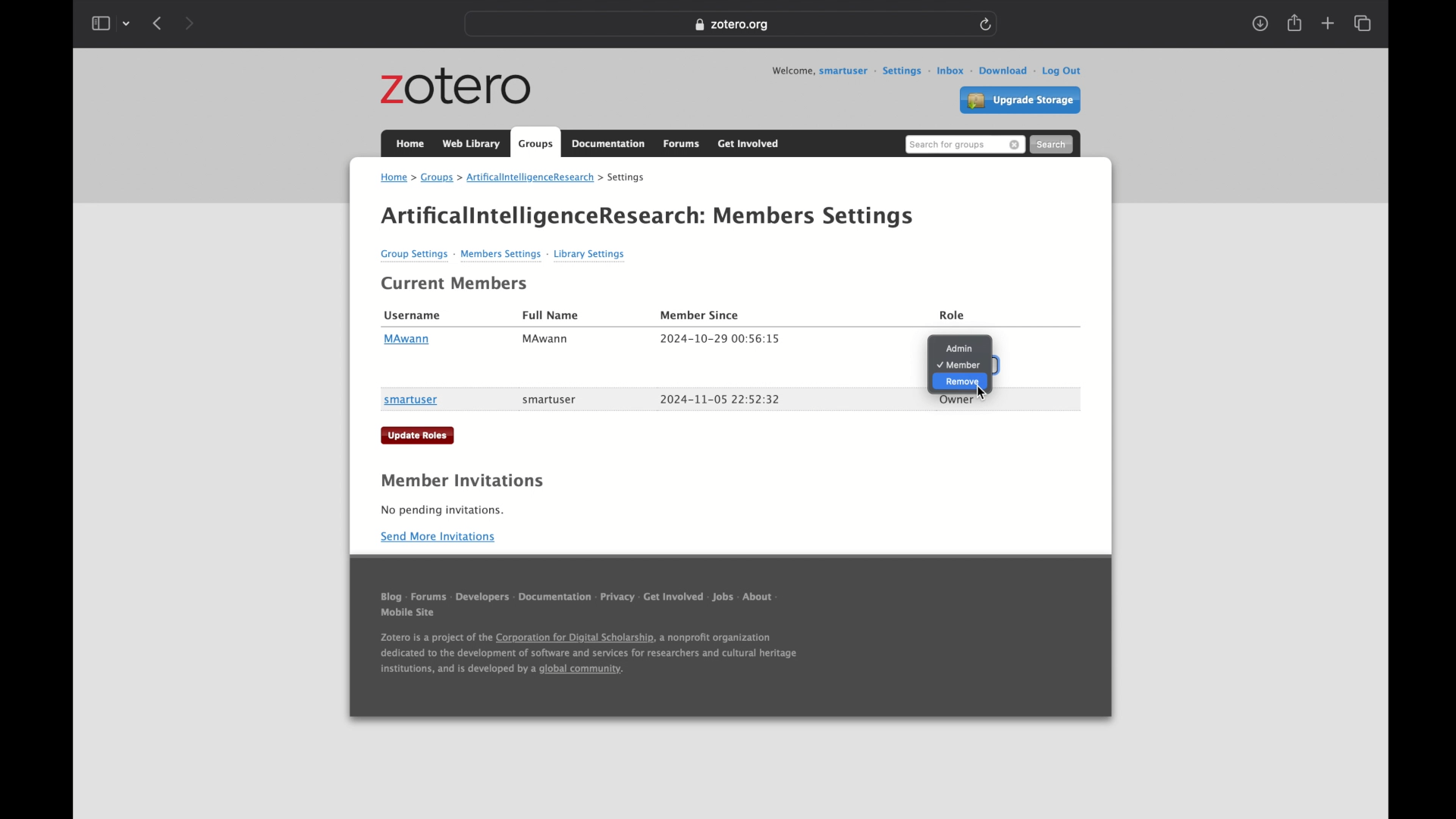  Describe the element at coordinates (541, 217) in the screenshot. I see `` at that location.